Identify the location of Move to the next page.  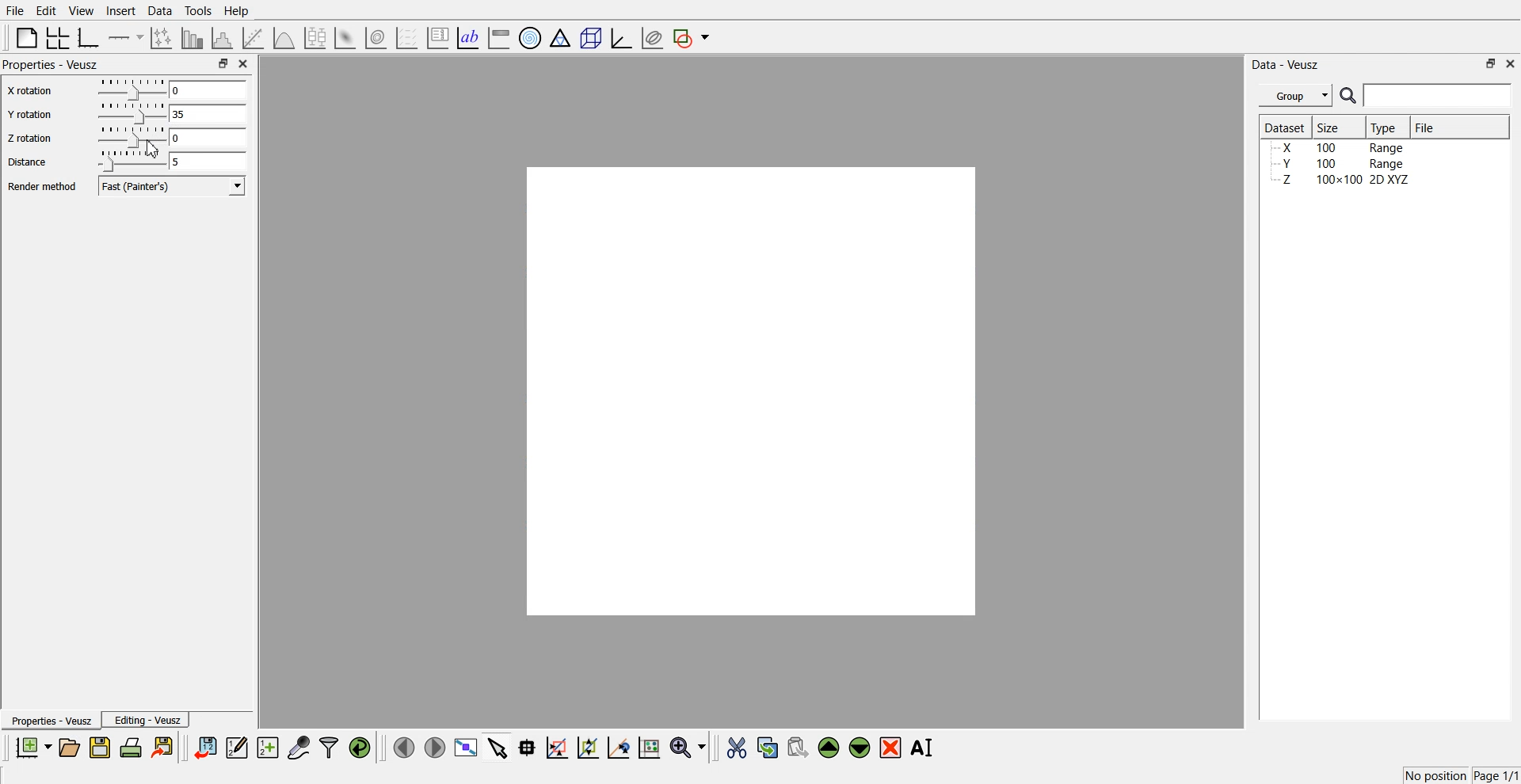
(435, 746).